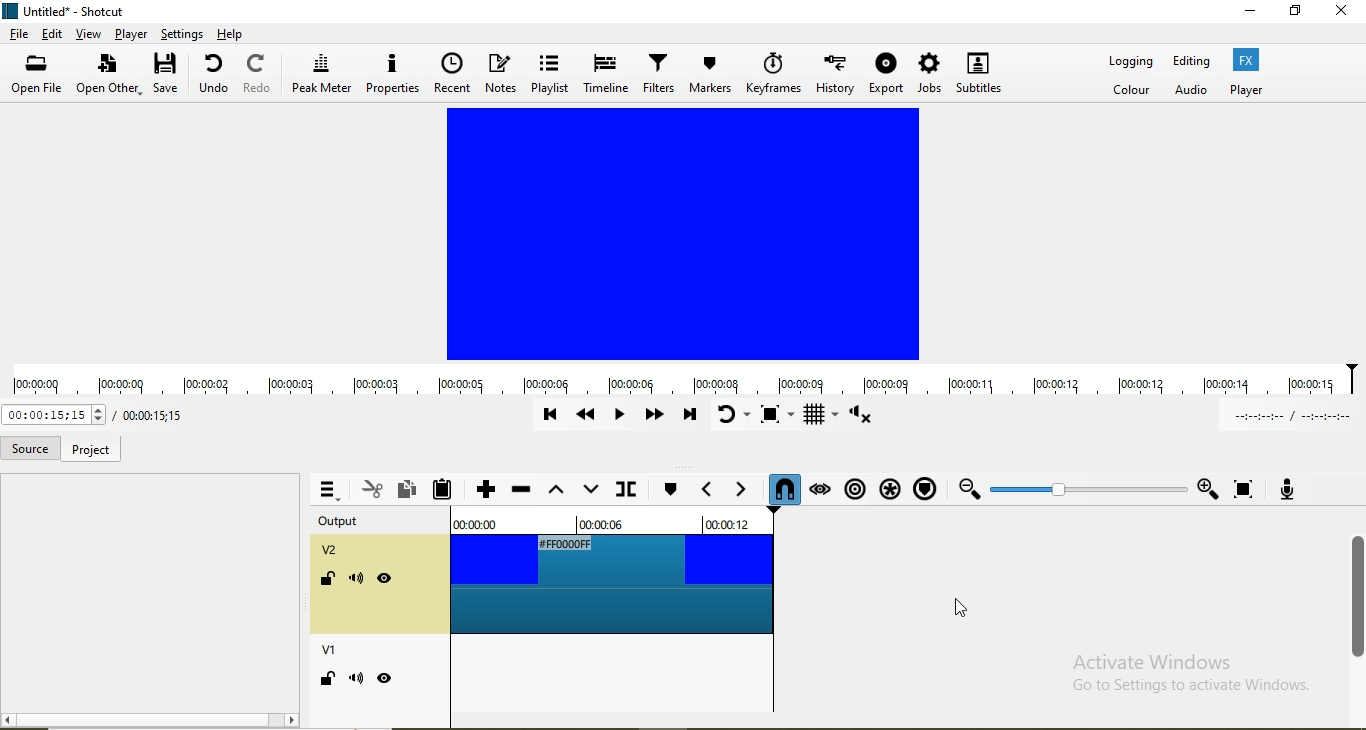  Describe the element at coordinates (887, 73) in the screenshot. I see `export` at that location.